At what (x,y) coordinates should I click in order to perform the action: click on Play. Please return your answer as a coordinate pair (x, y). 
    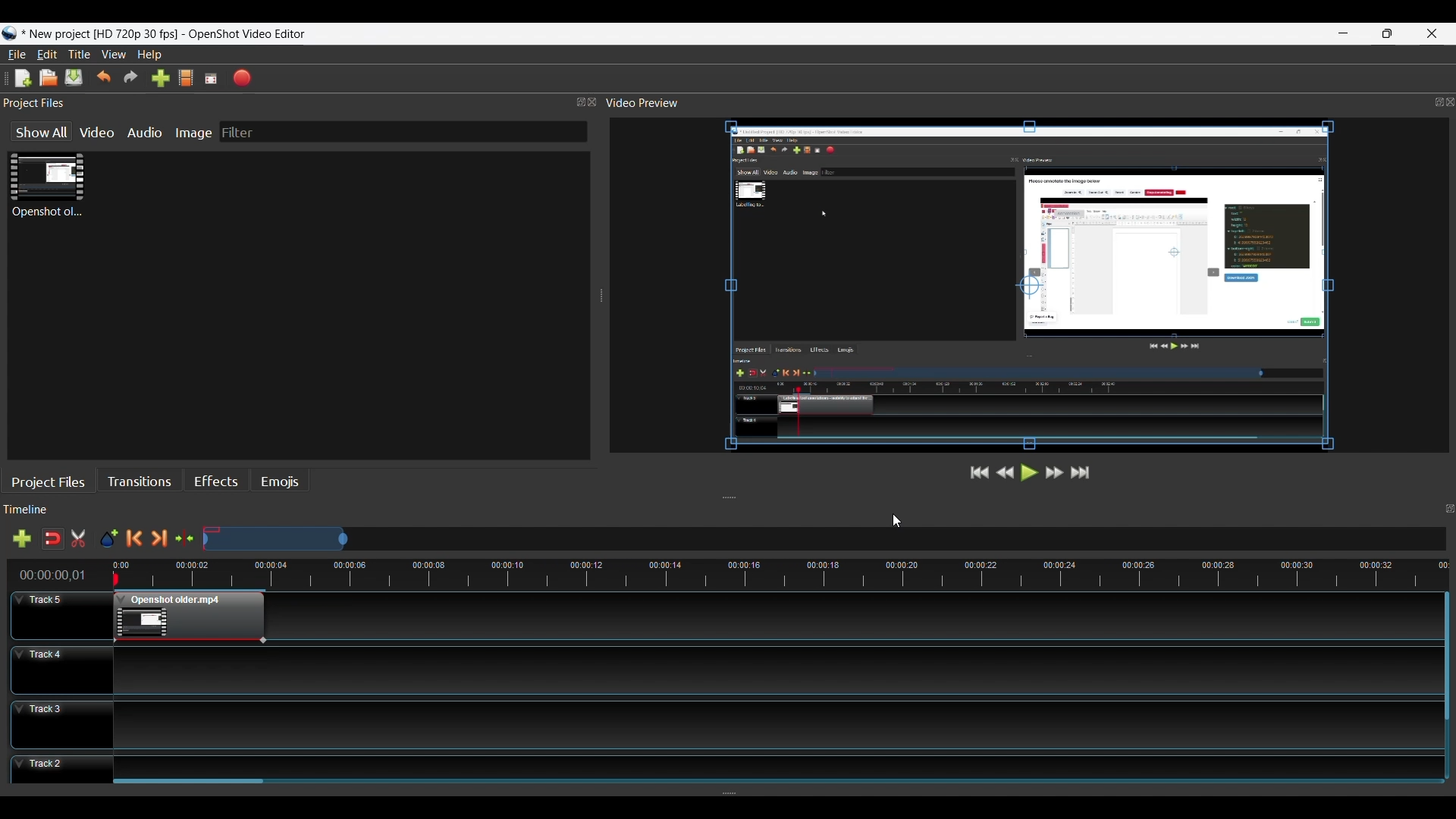
    Looking at the image, I should click on (1030, 472).